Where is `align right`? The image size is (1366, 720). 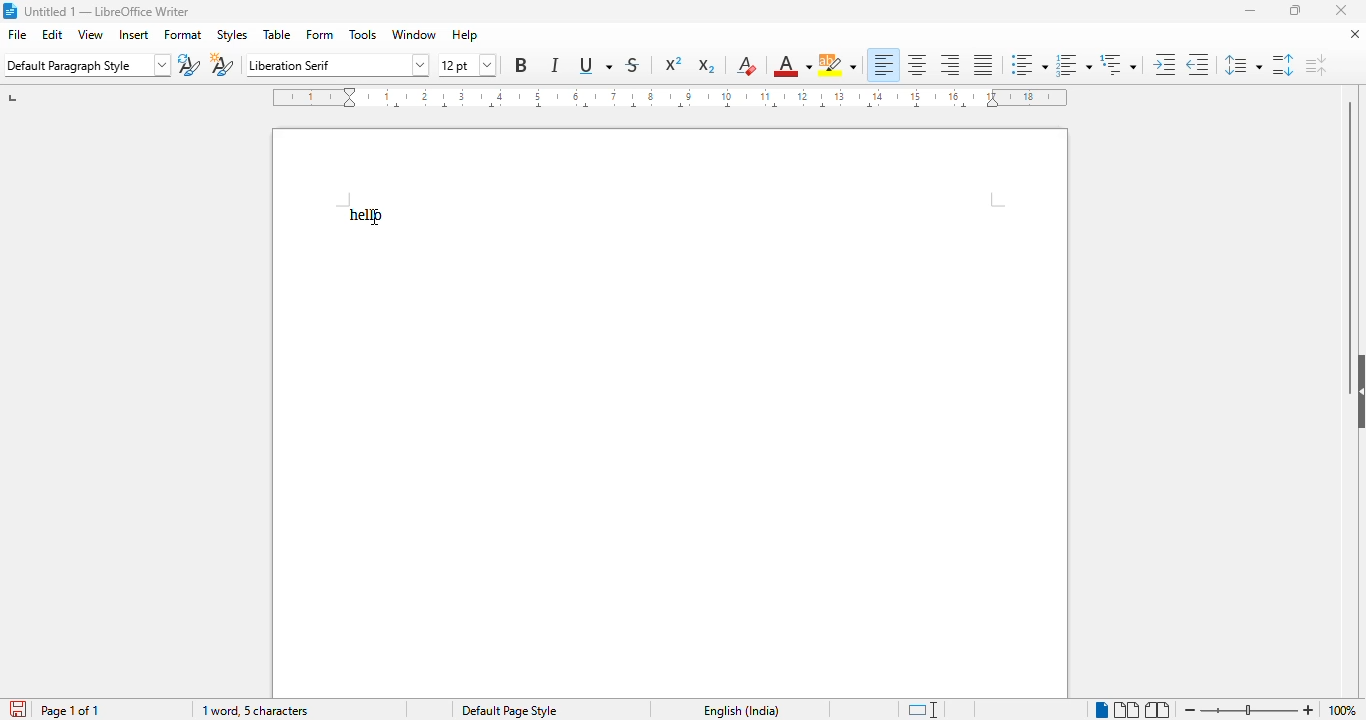 align right is located at coordinates (951, 66).